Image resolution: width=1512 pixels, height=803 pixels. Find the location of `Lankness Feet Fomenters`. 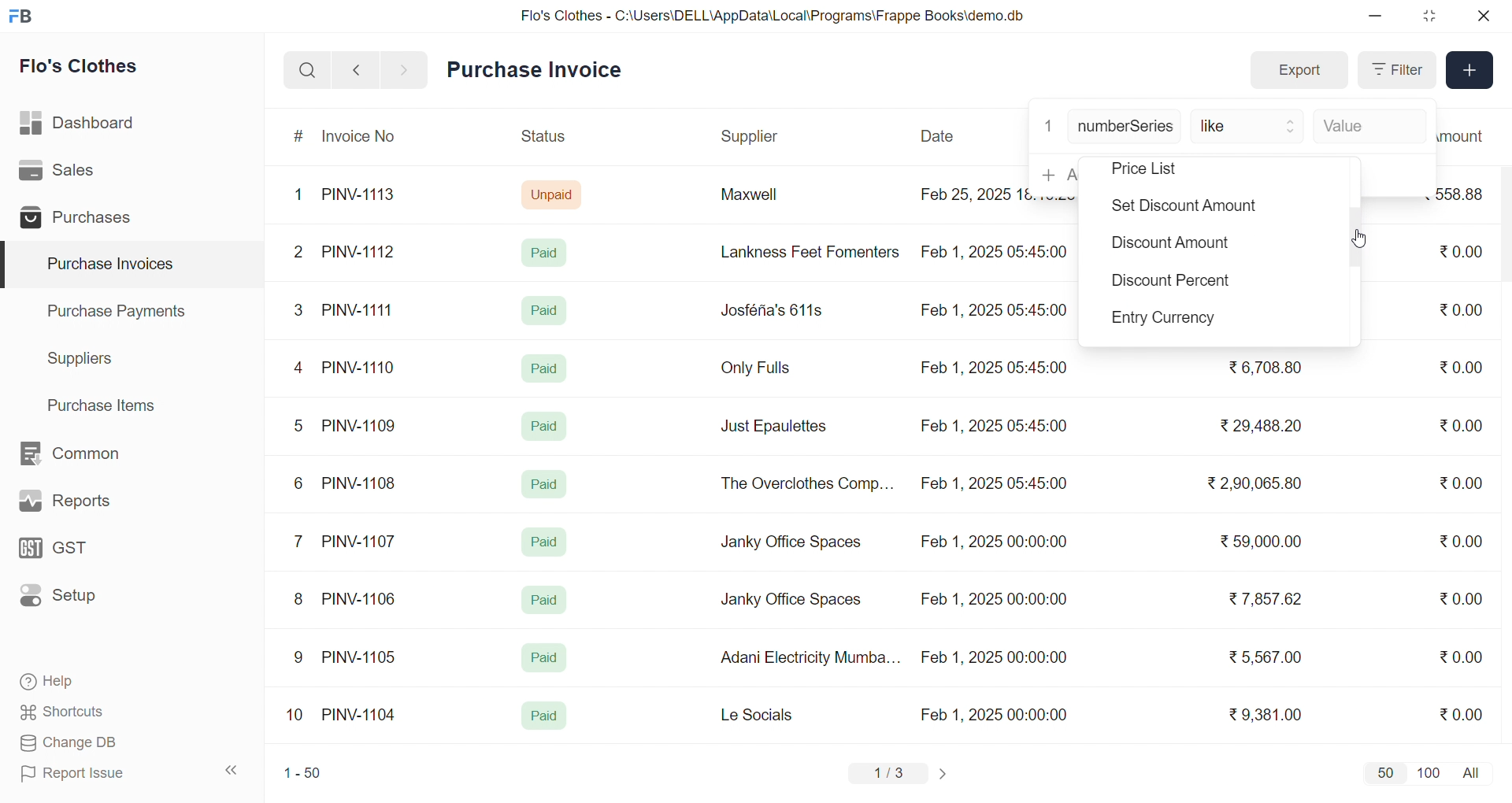

Lankness Feet Fomenters is located at coordinates (800, 252).